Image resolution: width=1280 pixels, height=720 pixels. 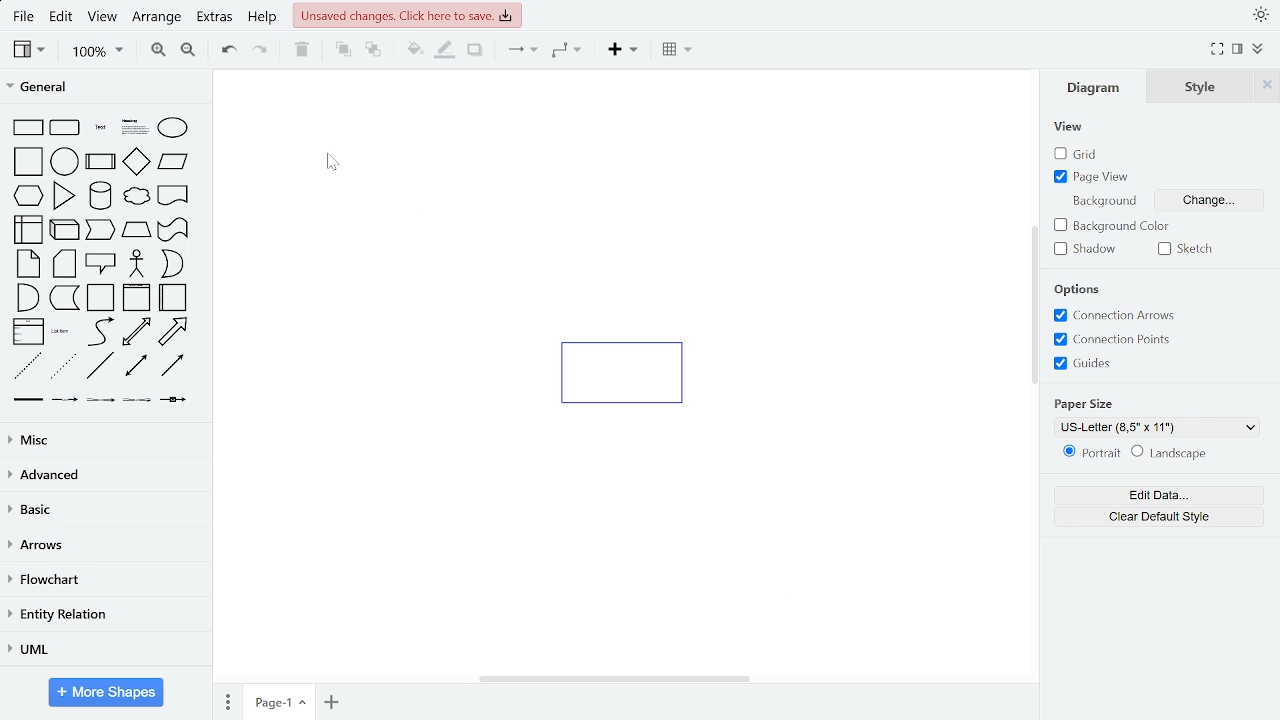 I want to click on clear default style, so click(x=1159, y=518).